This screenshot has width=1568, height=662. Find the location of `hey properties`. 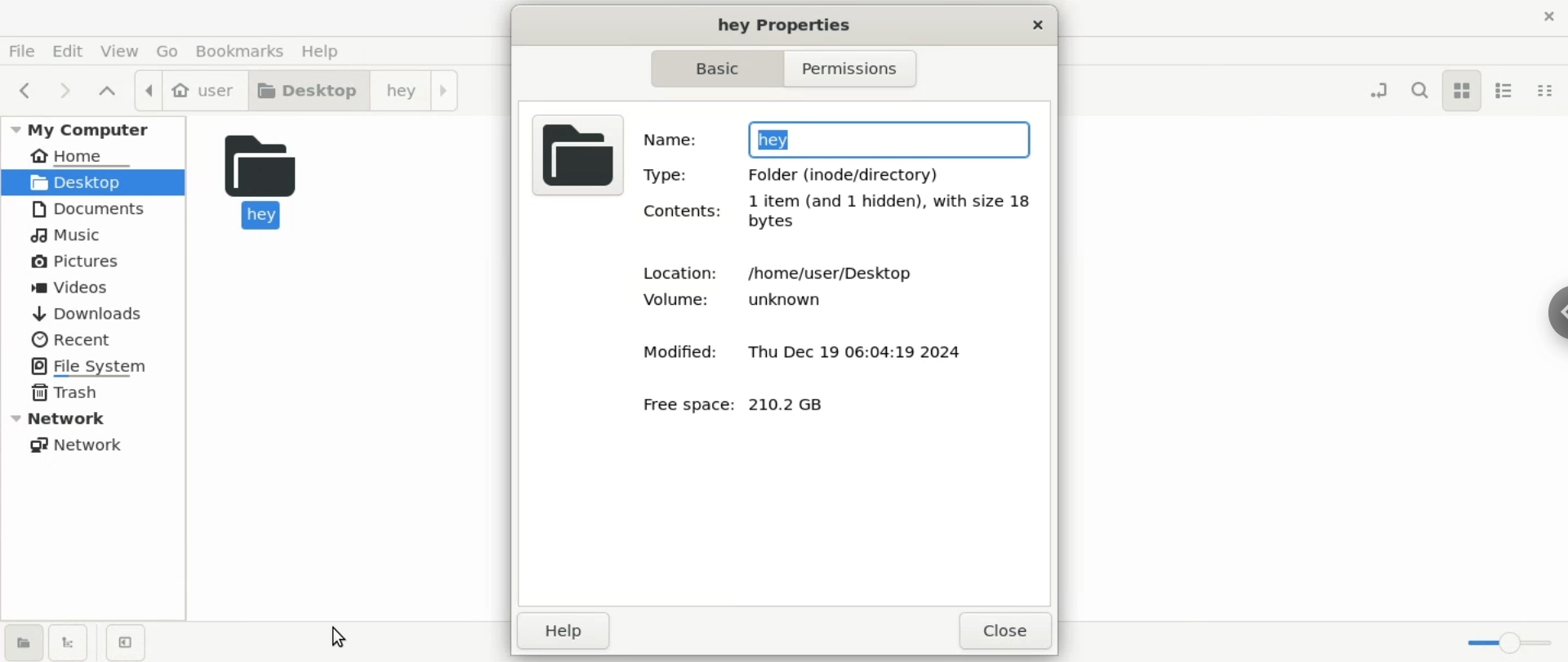

hey properties is located at coordinates (777, 23).